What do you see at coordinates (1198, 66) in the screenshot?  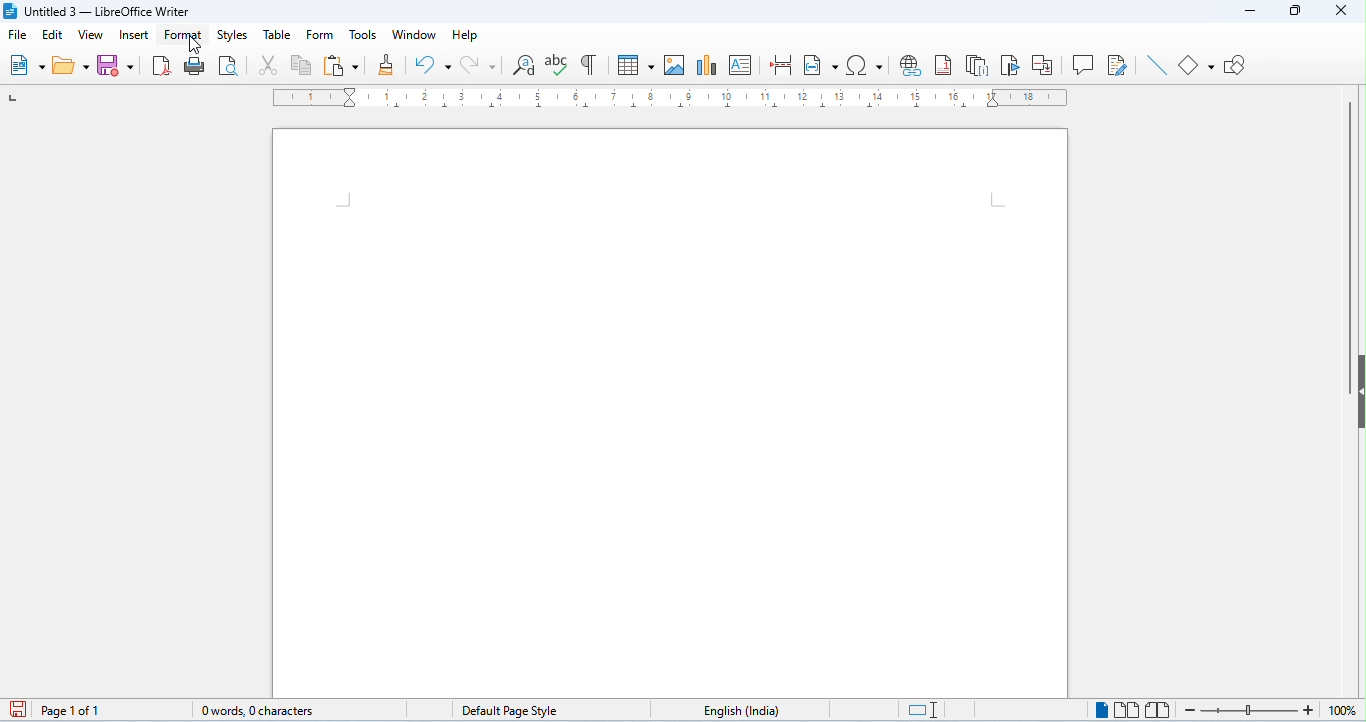 I see `basic shapes` at bounding box center [1198, 66].